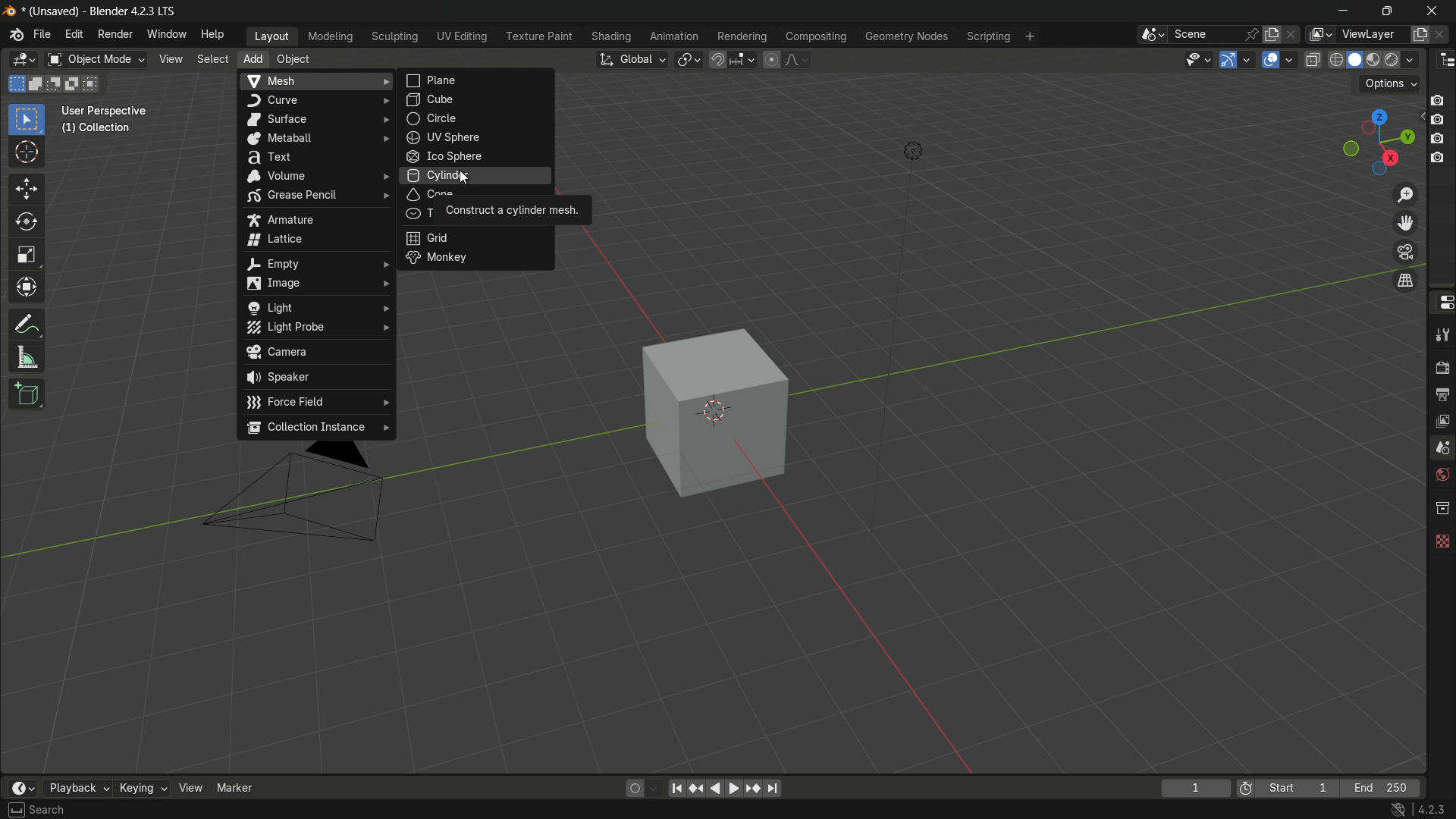 The width and height of the screenshot is (1456, 819). What do you see at coordinates (395, 37) in the screenshot?
I see `sculpting menu` at bounding box center [395, 37].